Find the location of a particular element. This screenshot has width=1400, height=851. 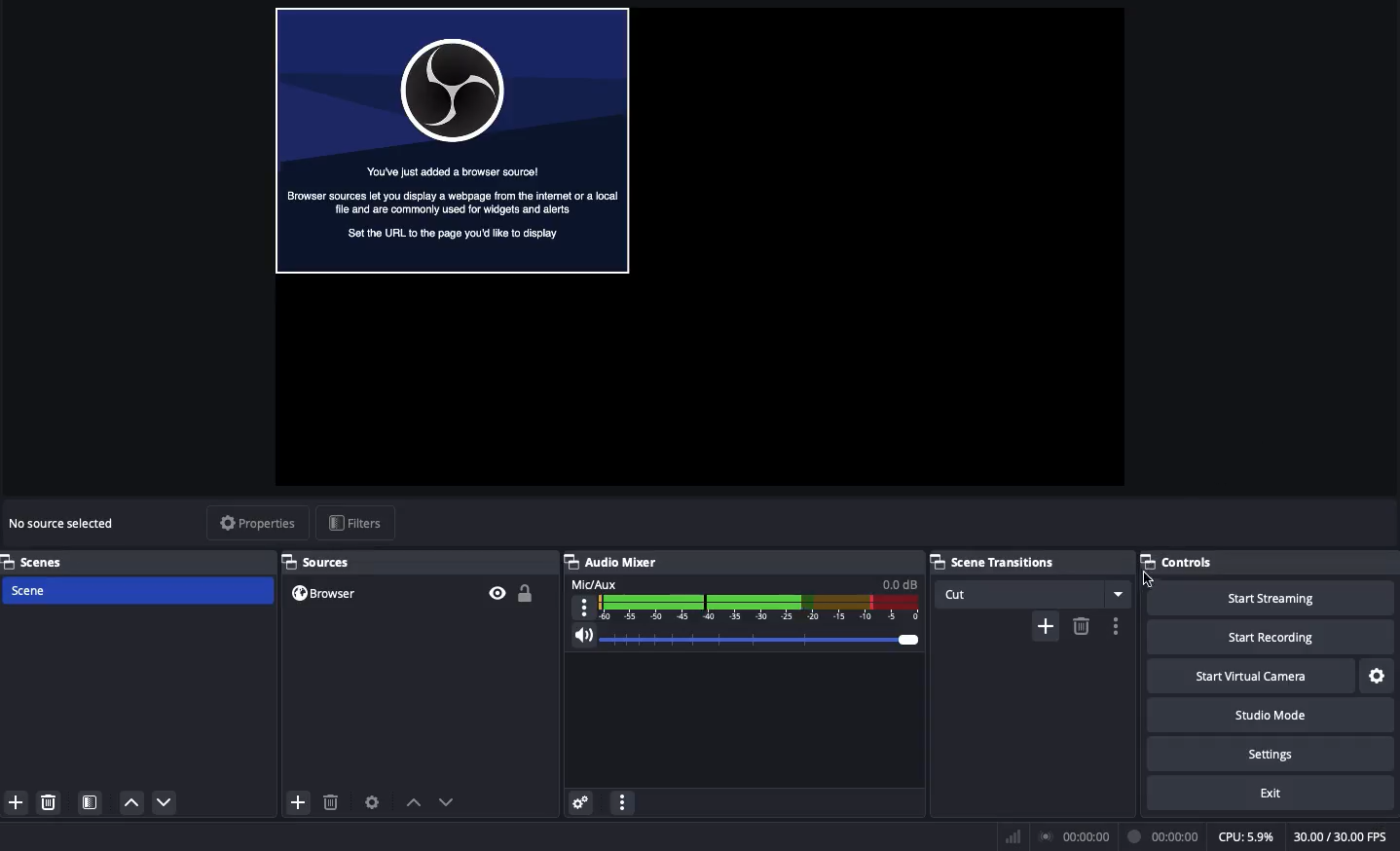

Browser is located at coordinates (452, 142).